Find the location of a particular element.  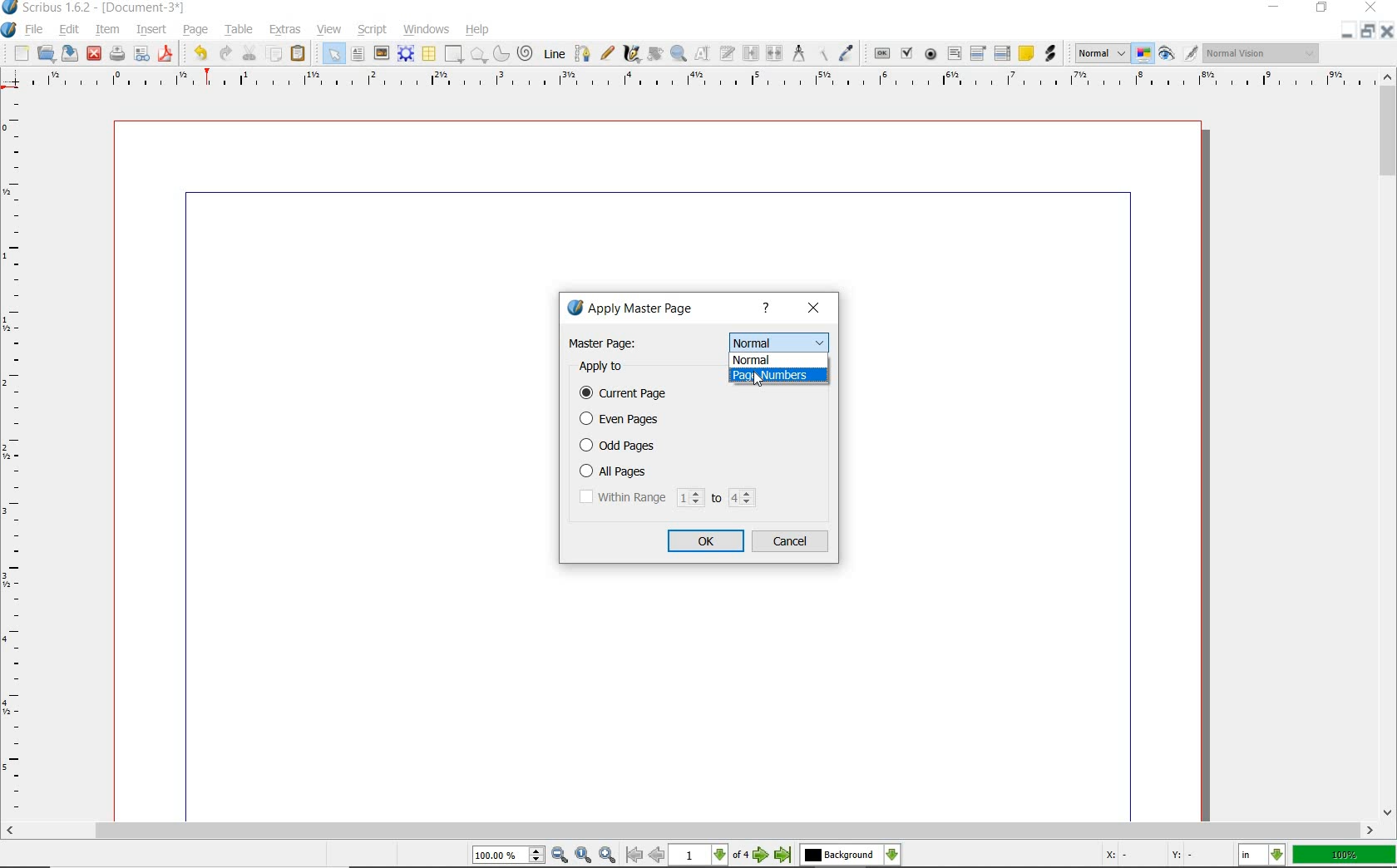

open is located at coordinates (47, 53).